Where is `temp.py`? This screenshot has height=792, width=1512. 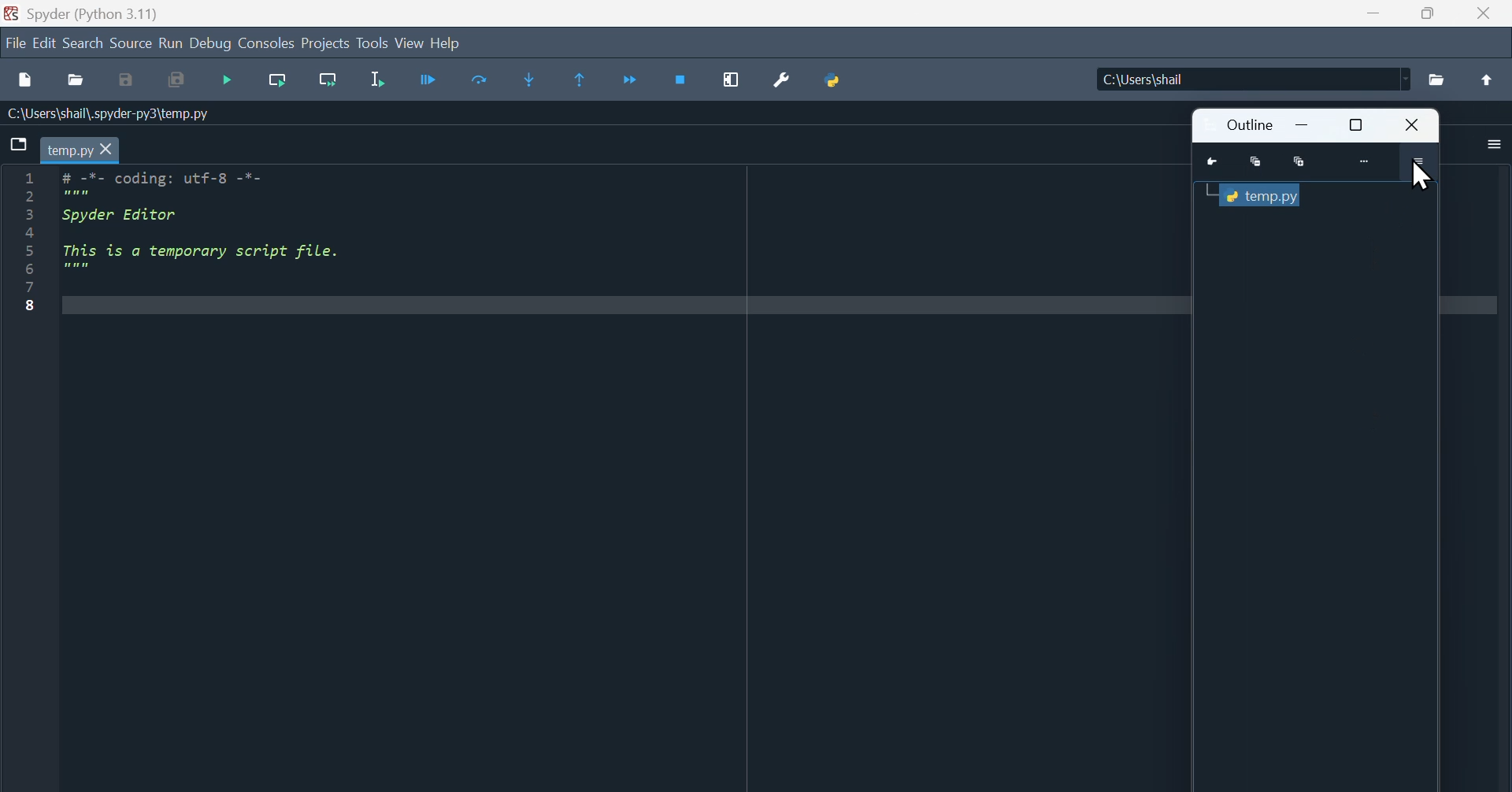
temp.py is located at coordinates (80, 149).